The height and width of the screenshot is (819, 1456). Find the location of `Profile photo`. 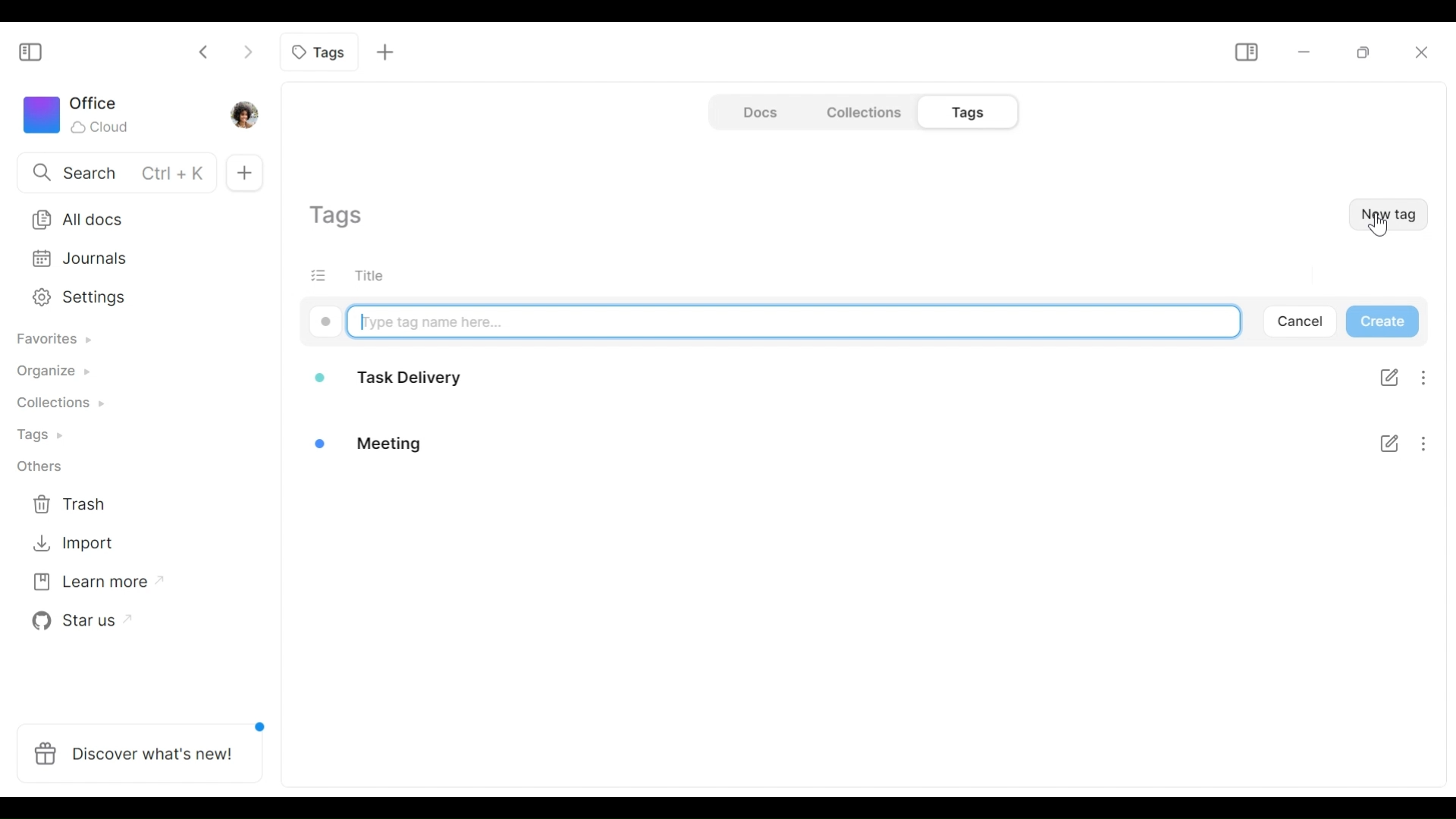

Profile photo is located at coordinates (242, 114).